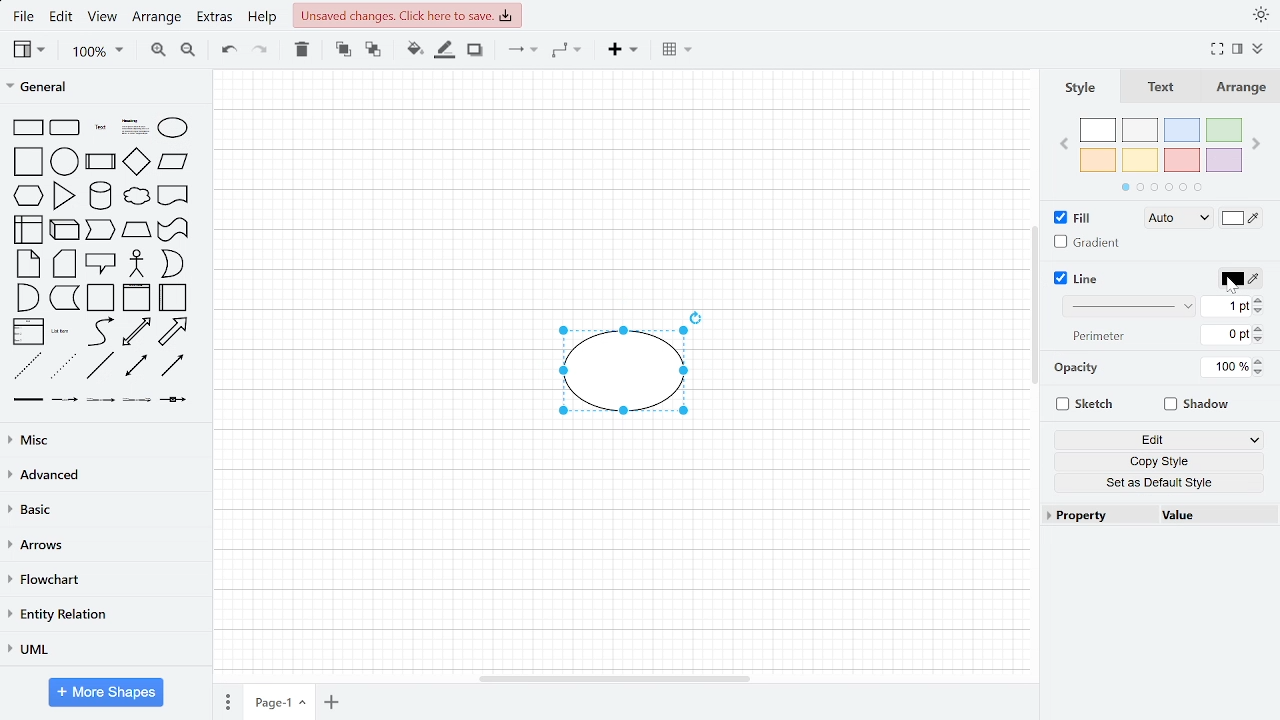 This screenshot has height=720, width=1280. Describe the element at coordinates (1228, 306) in the screenshot. I see `Current line width` at that location.